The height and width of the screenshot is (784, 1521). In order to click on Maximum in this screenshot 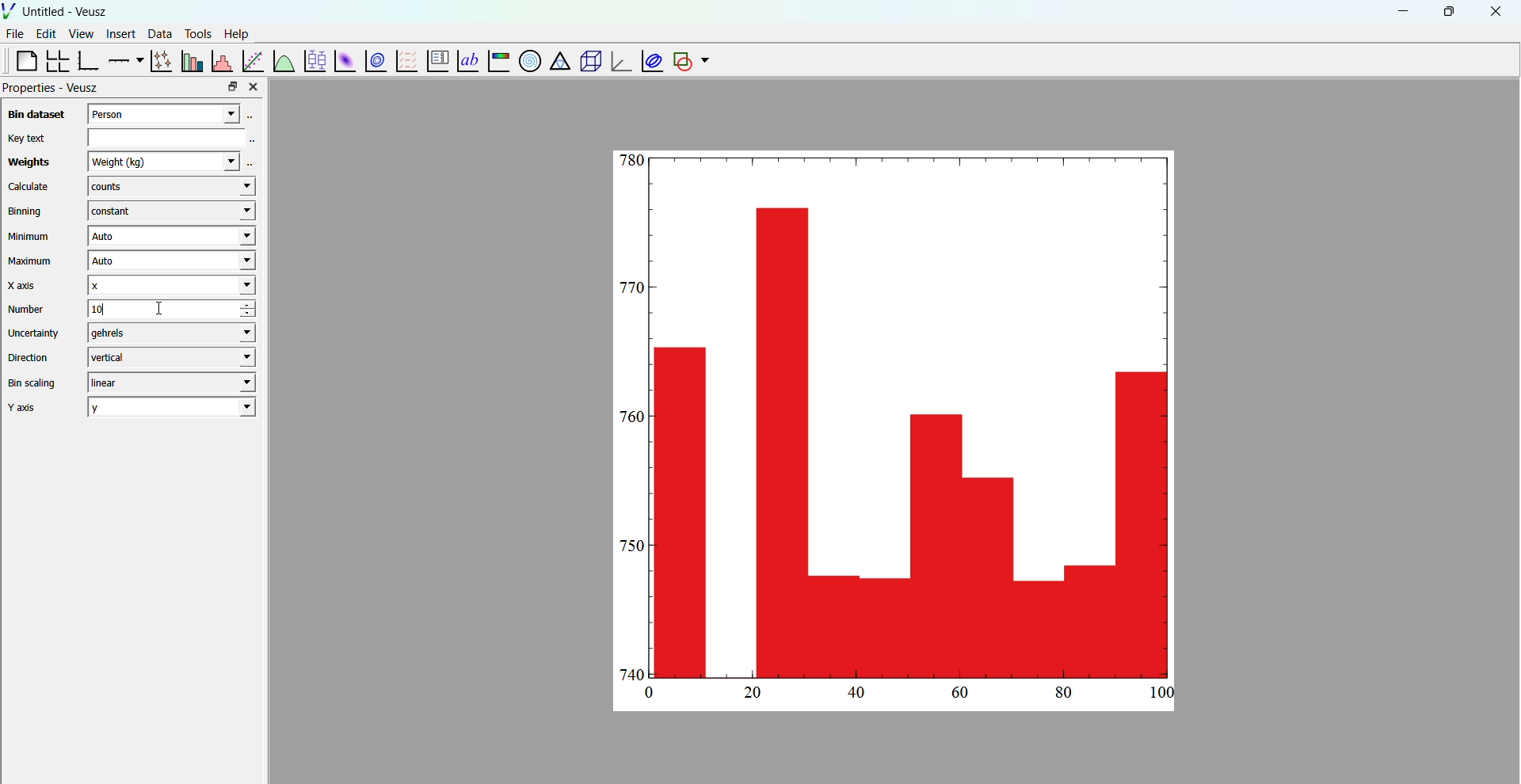, I will do `click(32, 261)`.